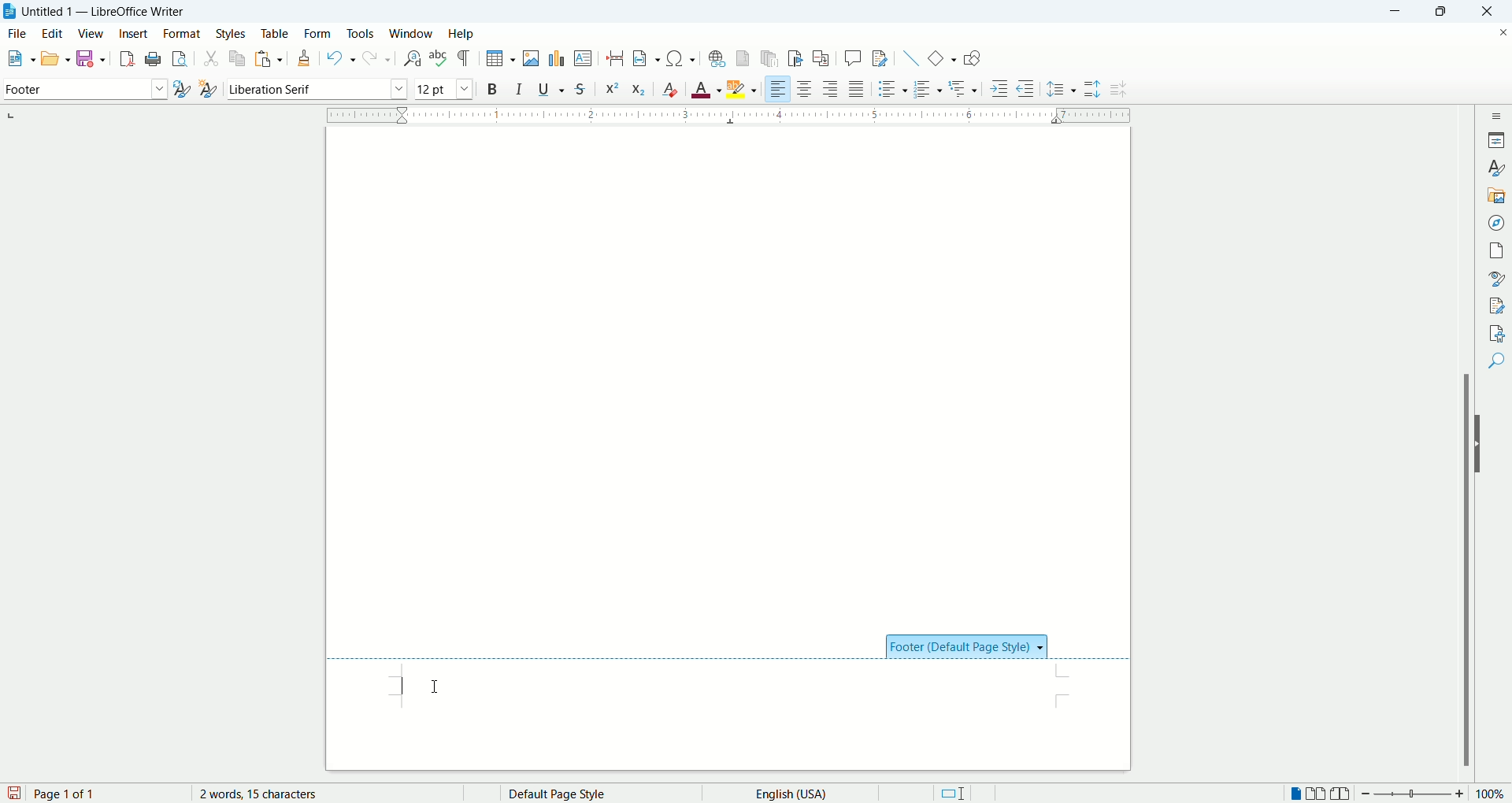  Describe the element at coordinates (943, 57) in the screenshot. I see `insert basic shapes` at that location.